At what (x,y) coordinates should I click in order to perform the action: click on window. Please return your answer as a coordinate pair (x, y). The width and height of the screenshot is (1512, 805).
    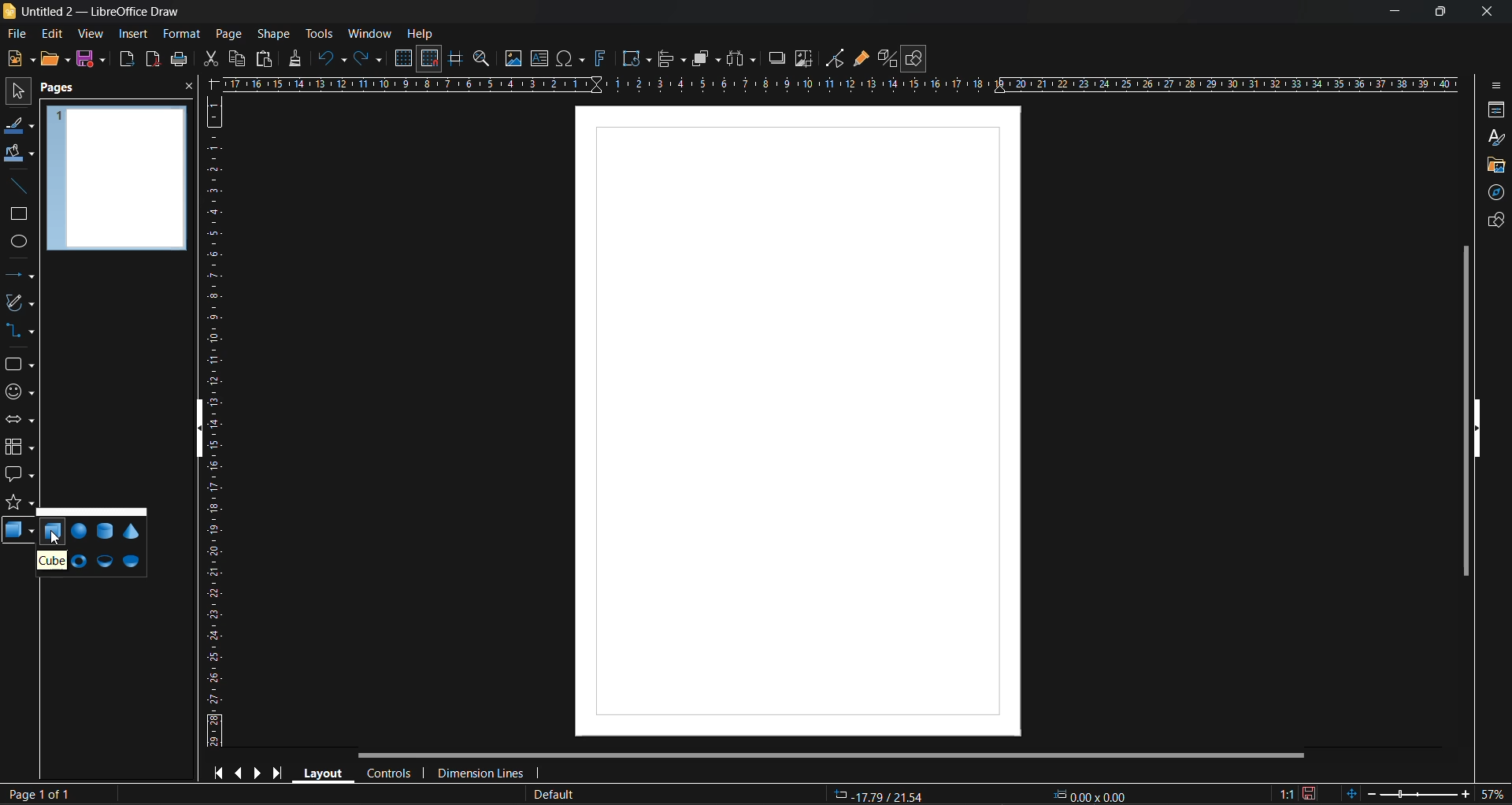
    Looking at the image, I should click on (369, 33).